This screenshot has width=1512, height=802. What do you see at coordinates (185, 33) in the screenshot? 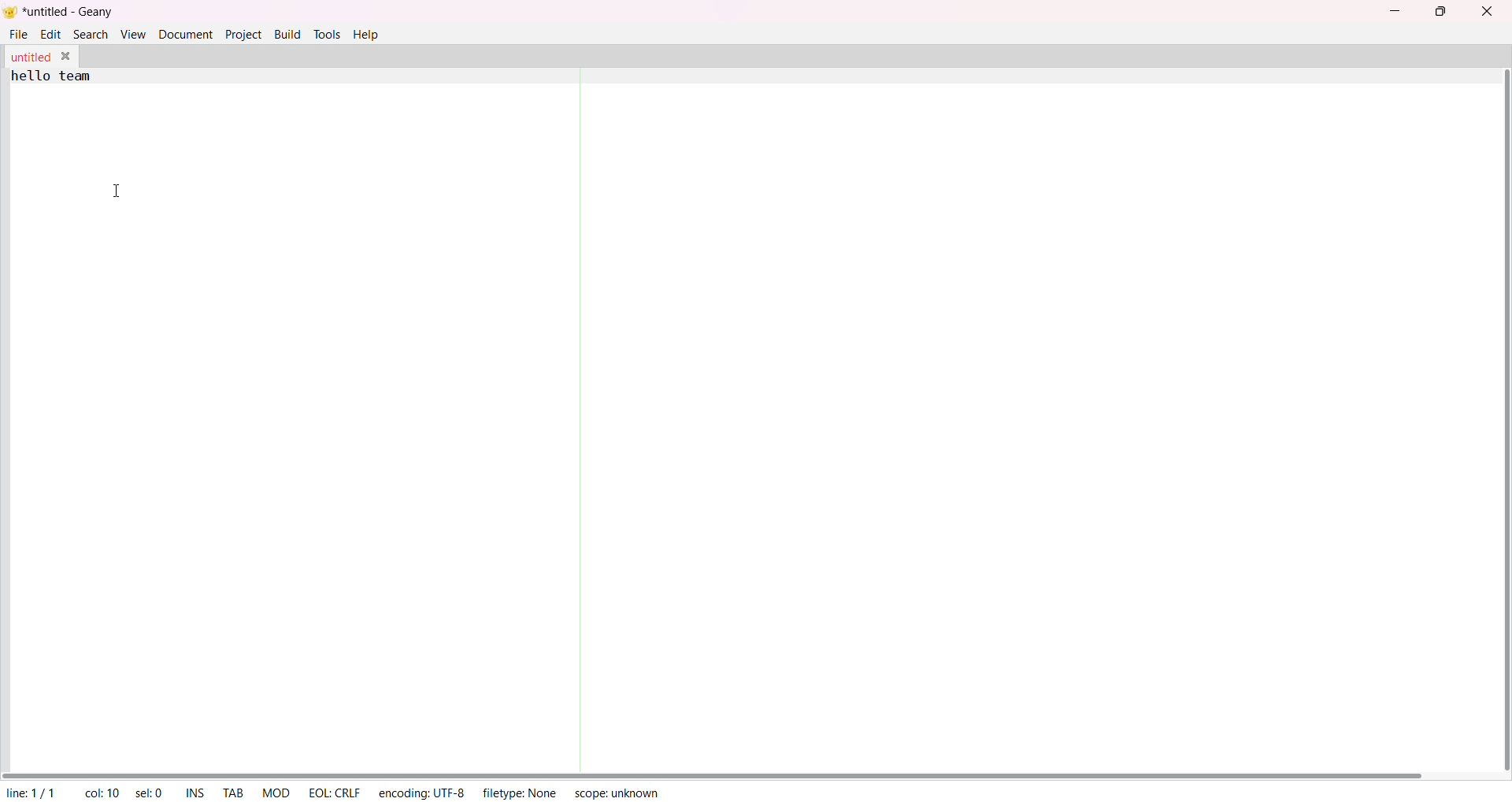
I see `document` at bounding box center [185, 33].